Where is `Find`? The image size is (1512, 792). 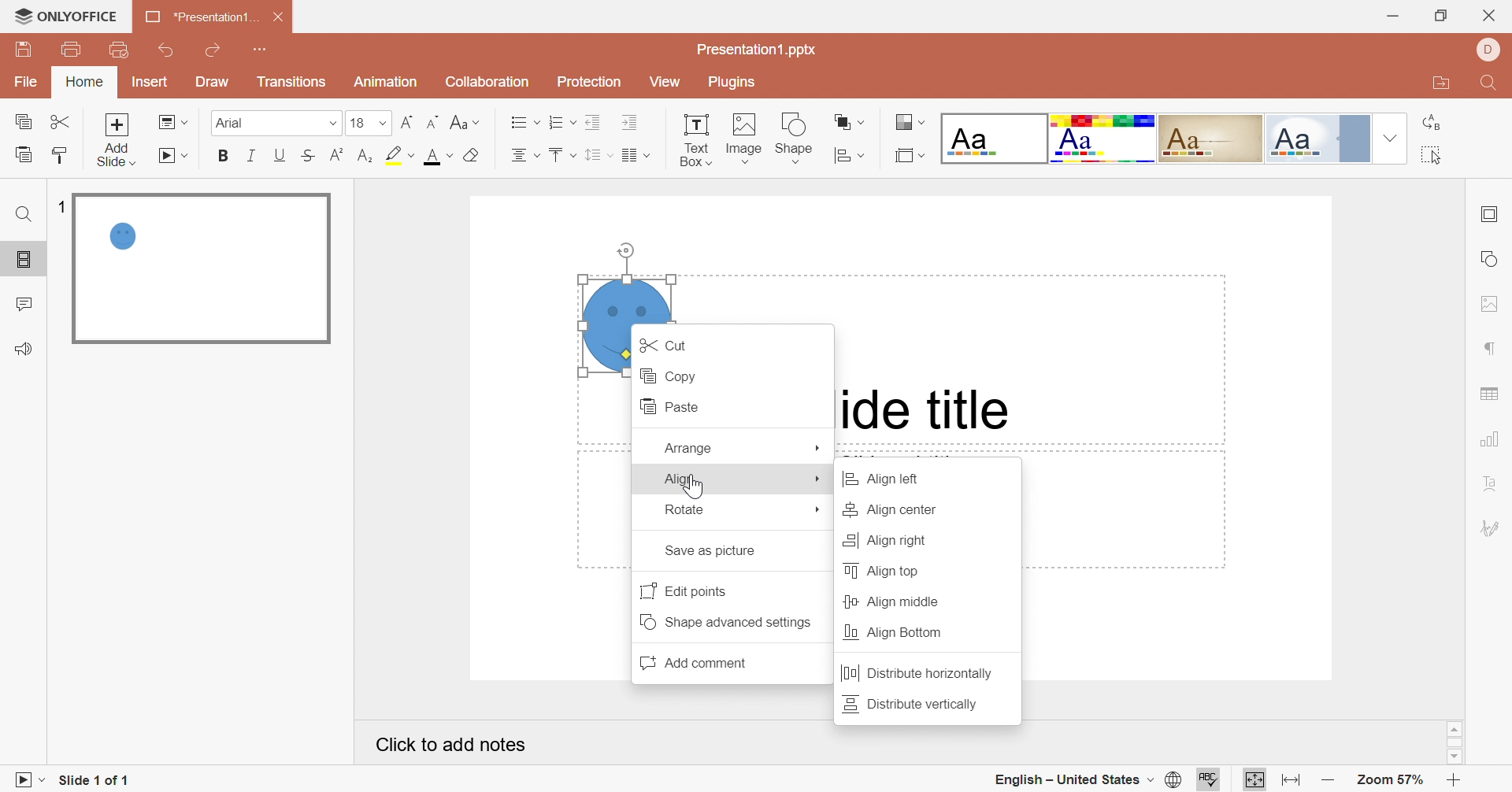 Find is located at coordinates (23, 214).